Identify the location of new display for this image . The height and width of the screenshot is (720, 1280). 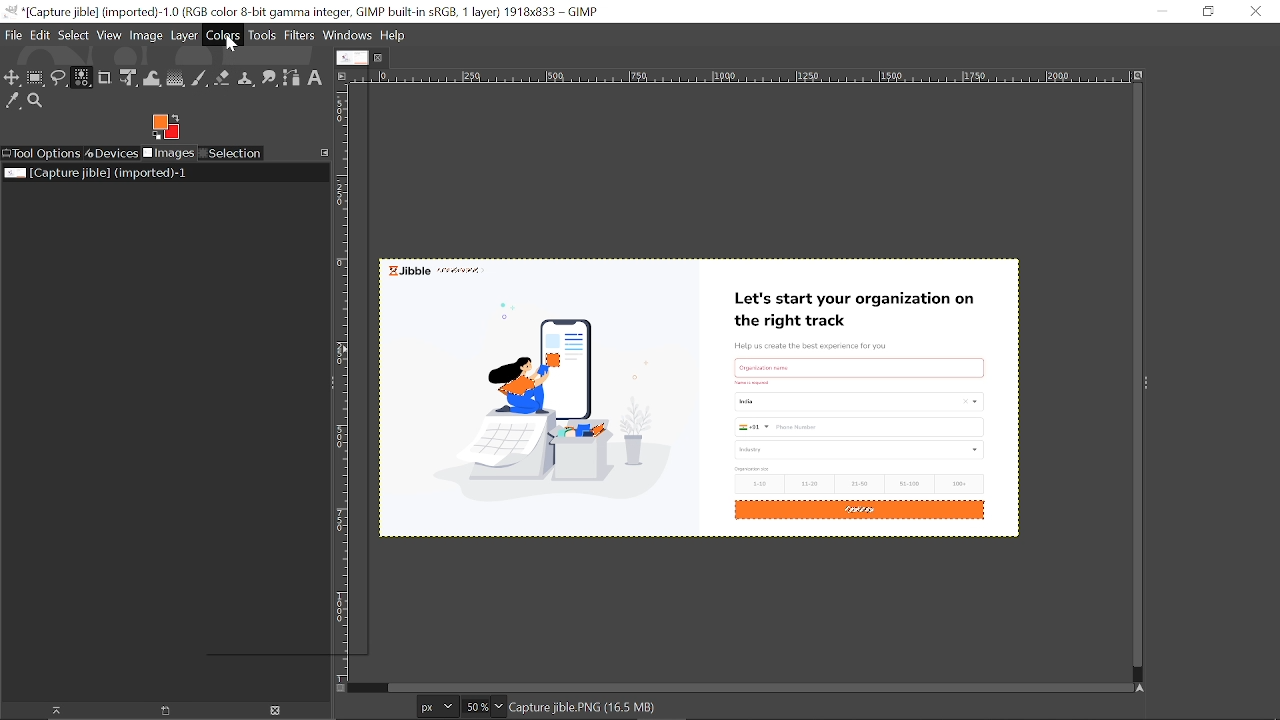
(163, 711).